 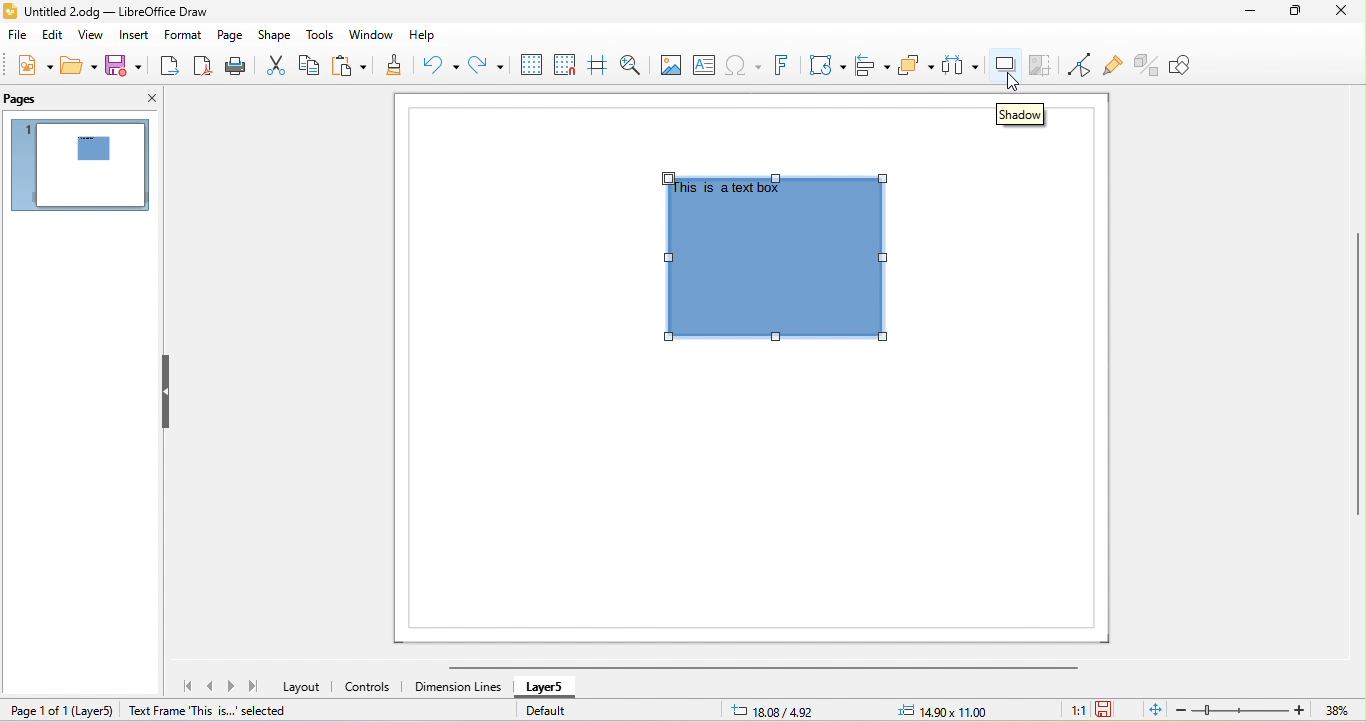 What do you see at coordinates (59, 710) in the screenshot?
I see `page 1 of 1` at bounding box center [59, 710].